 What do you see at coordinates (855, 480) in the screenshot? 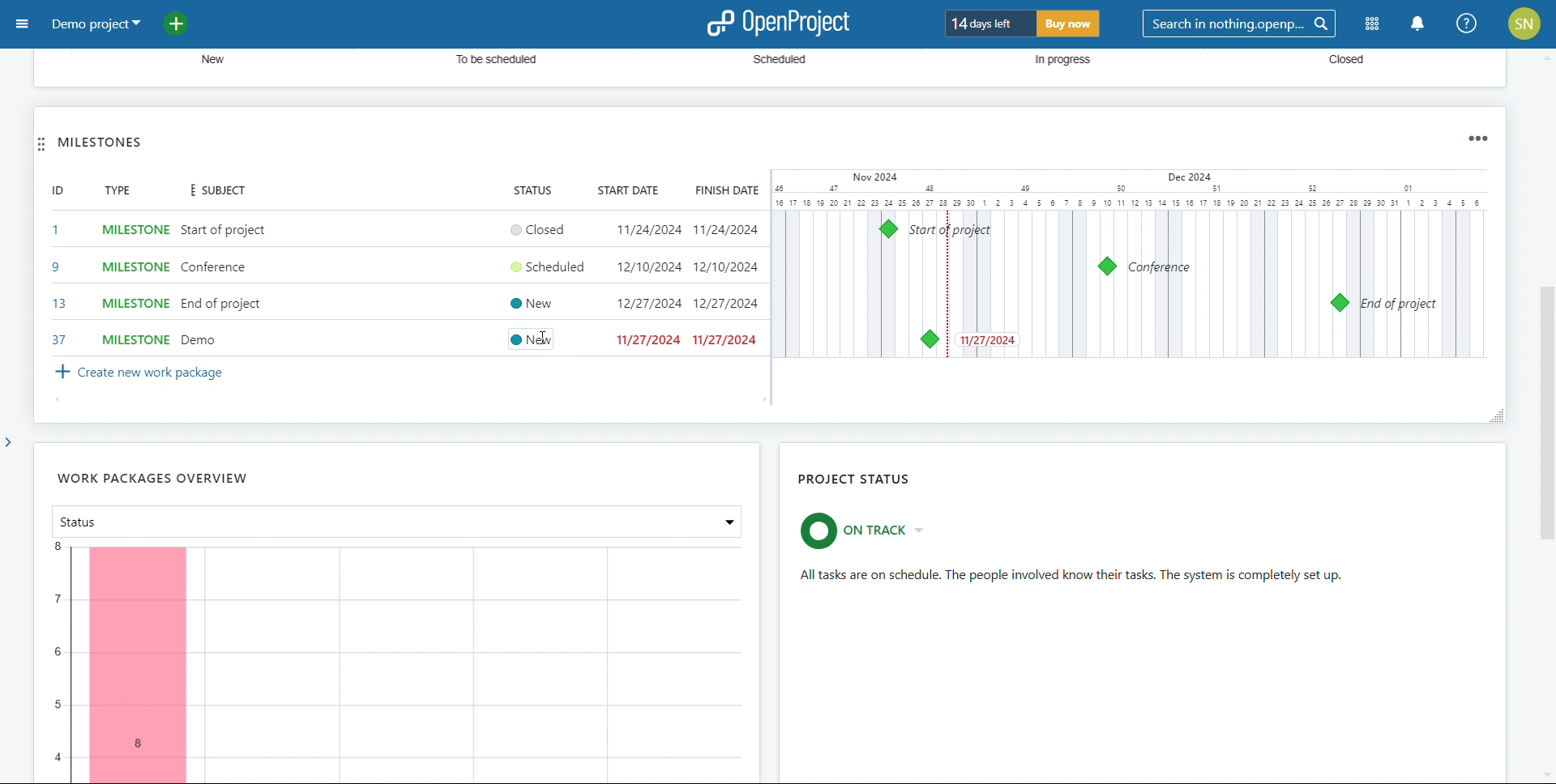
I see `project status` at bounding box center [855, 480].